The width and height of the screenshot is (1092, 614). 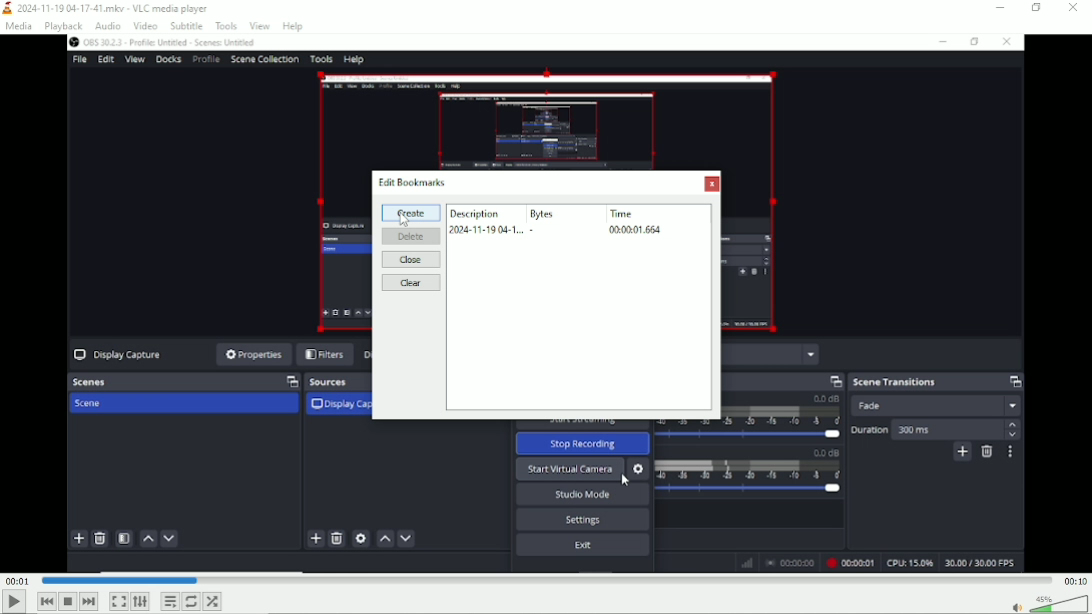 What do you see at coordinates (405, 220) in the screenshot?
I see `Cursor` at bounding box center [405, 220].